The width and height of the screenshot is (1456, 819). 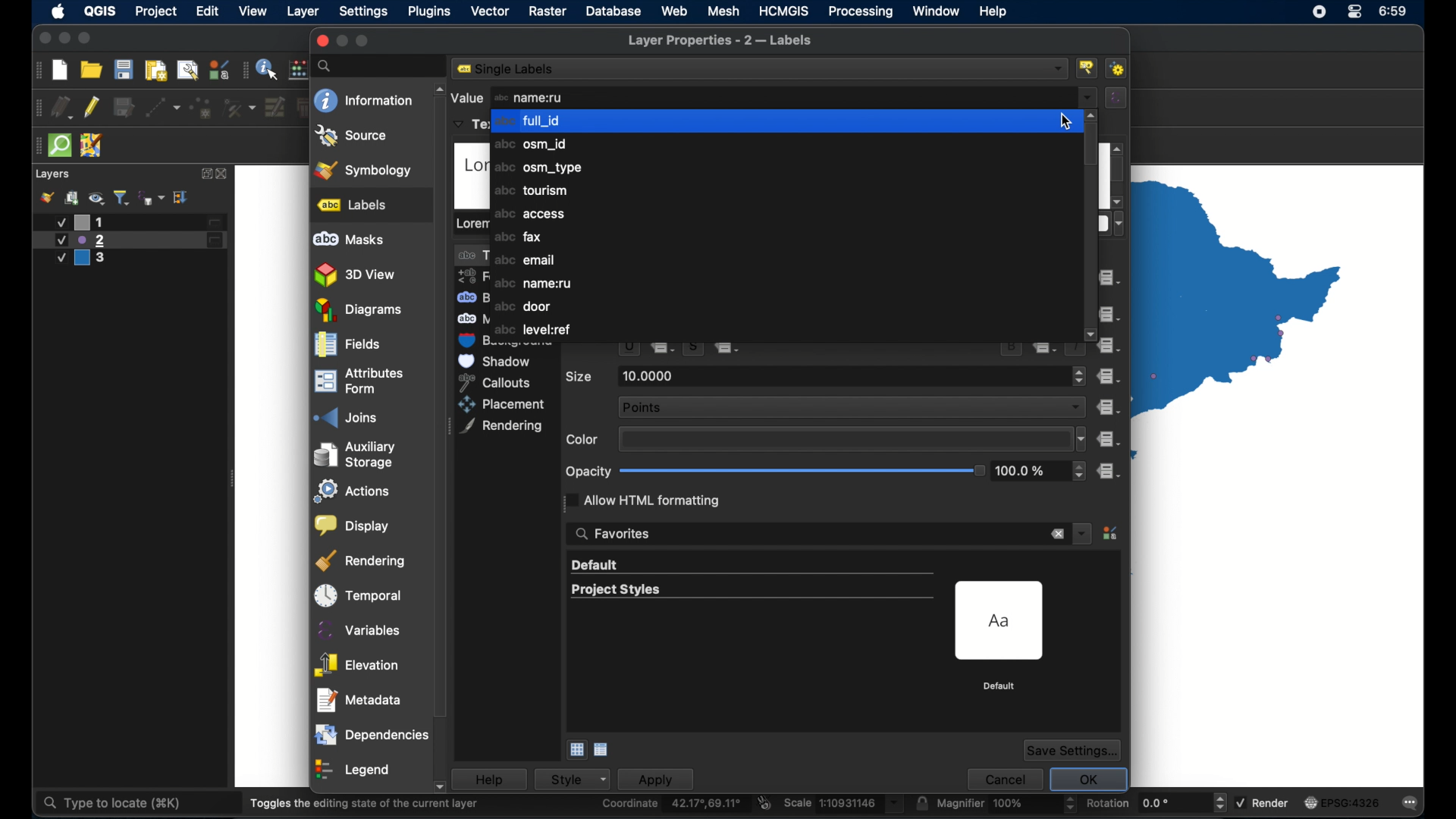 I want to click on diagrams, so click(x=359, y=310).